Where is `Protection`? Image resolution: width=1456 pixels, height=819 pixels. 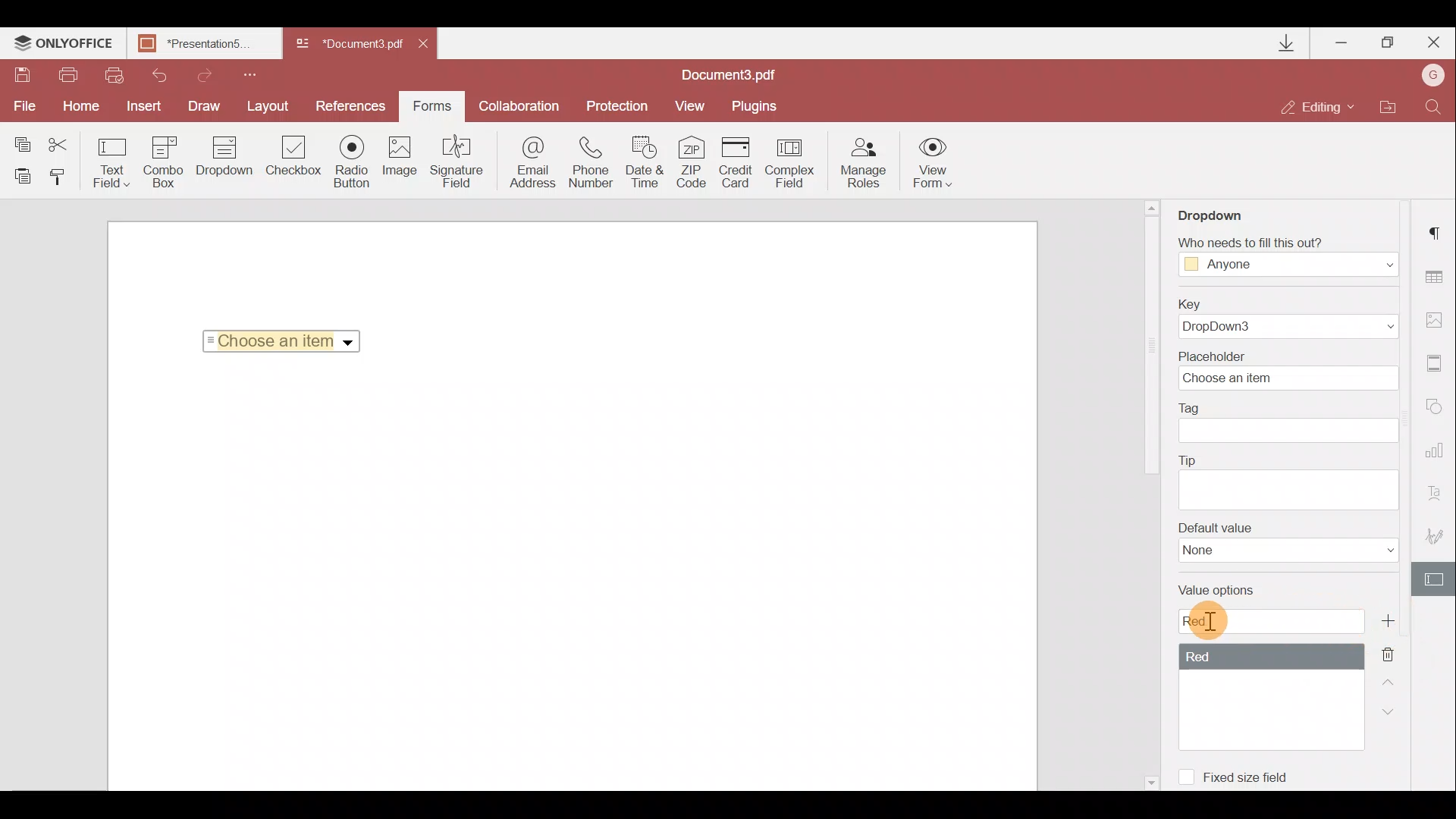 Protection is located at coordinates (613, 108).